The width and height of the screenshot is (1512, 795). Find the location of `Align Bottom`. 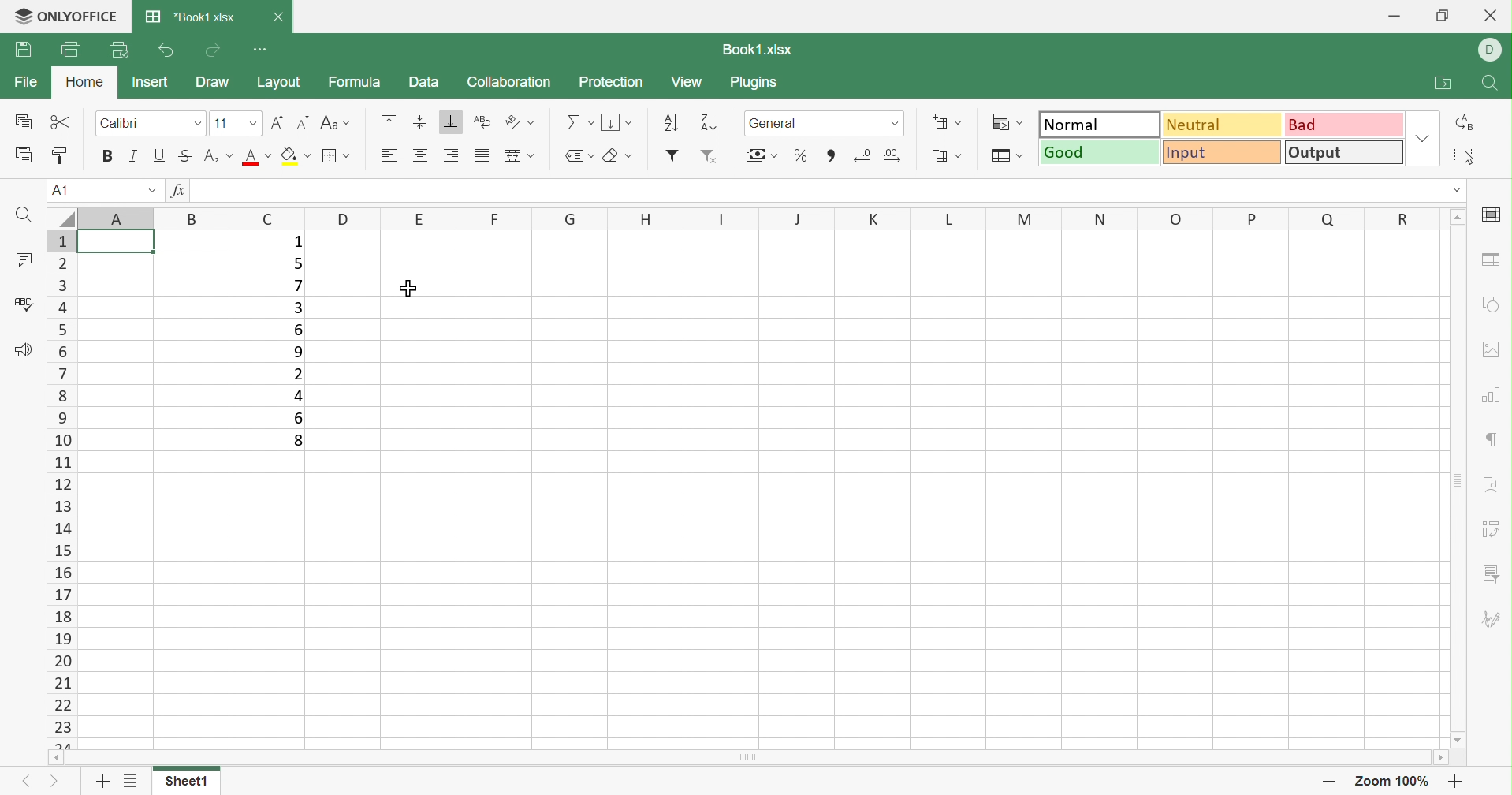

Align Bottom is located at coordinates (453, 125).